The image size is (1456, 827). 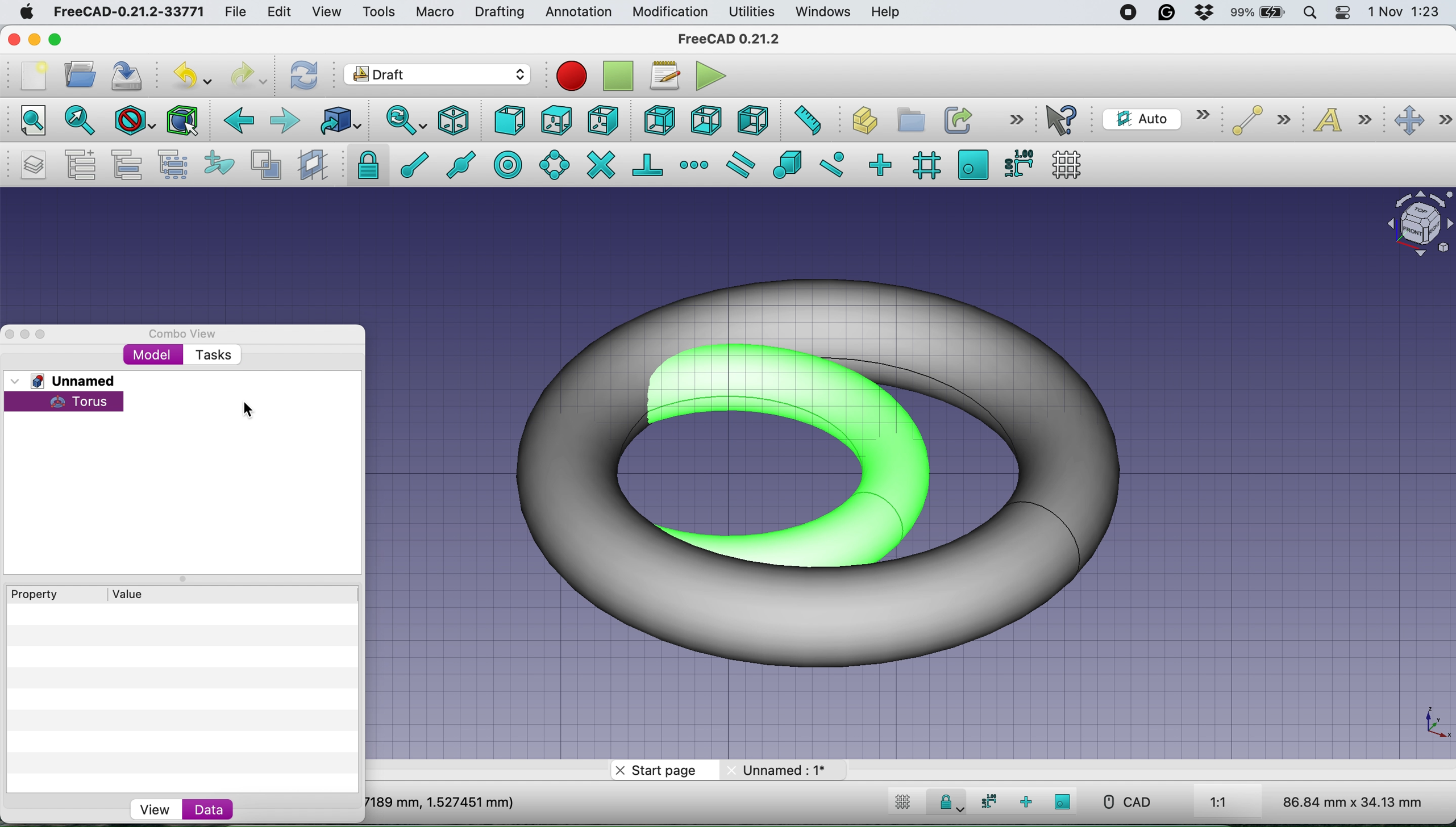 What do you see at coordinates (1403, 12) in the screenshot?
I see `1 Nov 1:23` at bounding box center [1403, 12].